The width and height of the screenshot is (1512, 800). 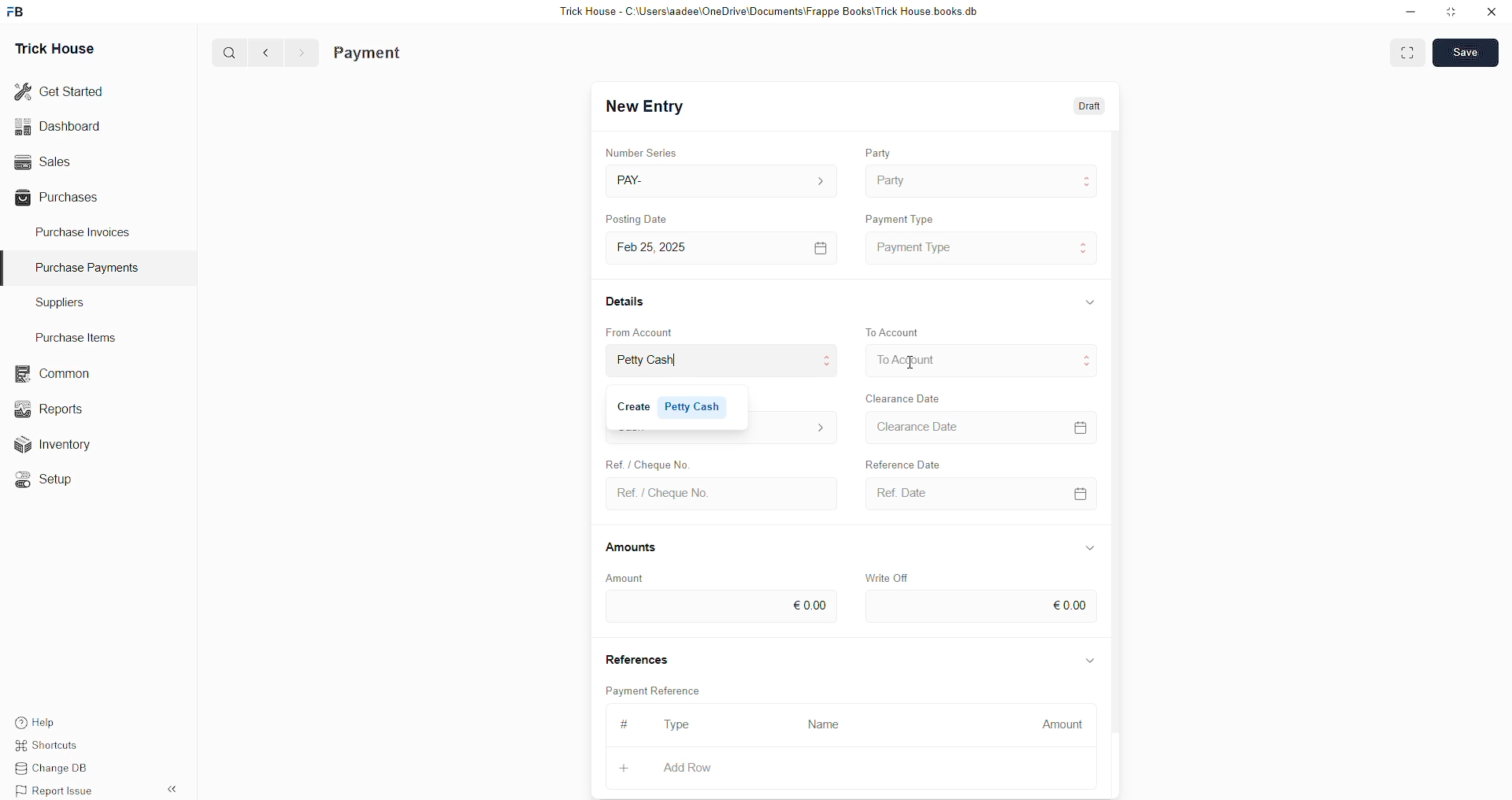 What do you see at coordinates (661, 361) in the screenshot?
I see `From Account` at bounding box center [661, 361].